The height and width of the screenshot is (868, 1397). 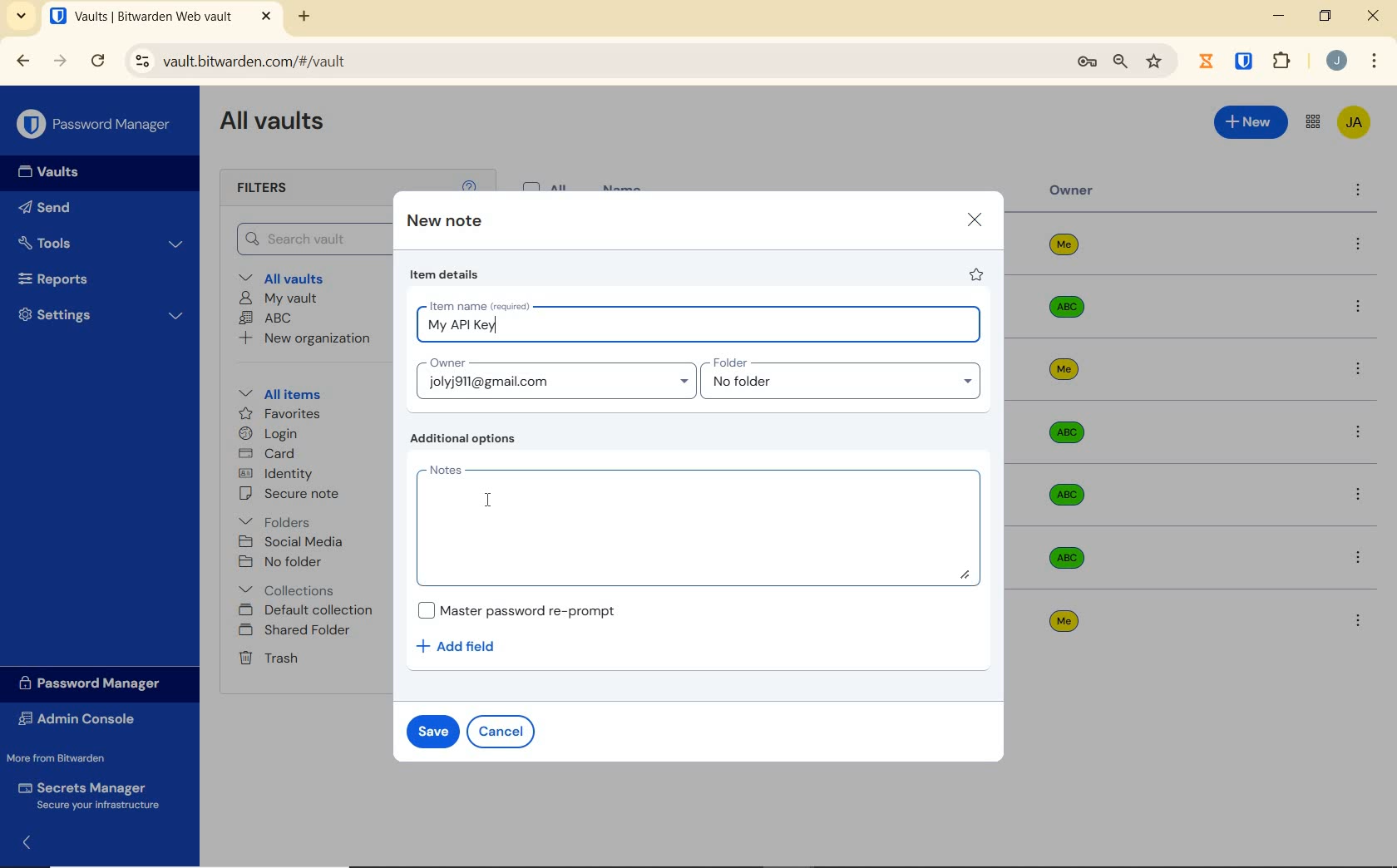 What do you see at coordinates (57, 174) in the screenshot?
I see `Vaults` at bounding box center [57, 174].